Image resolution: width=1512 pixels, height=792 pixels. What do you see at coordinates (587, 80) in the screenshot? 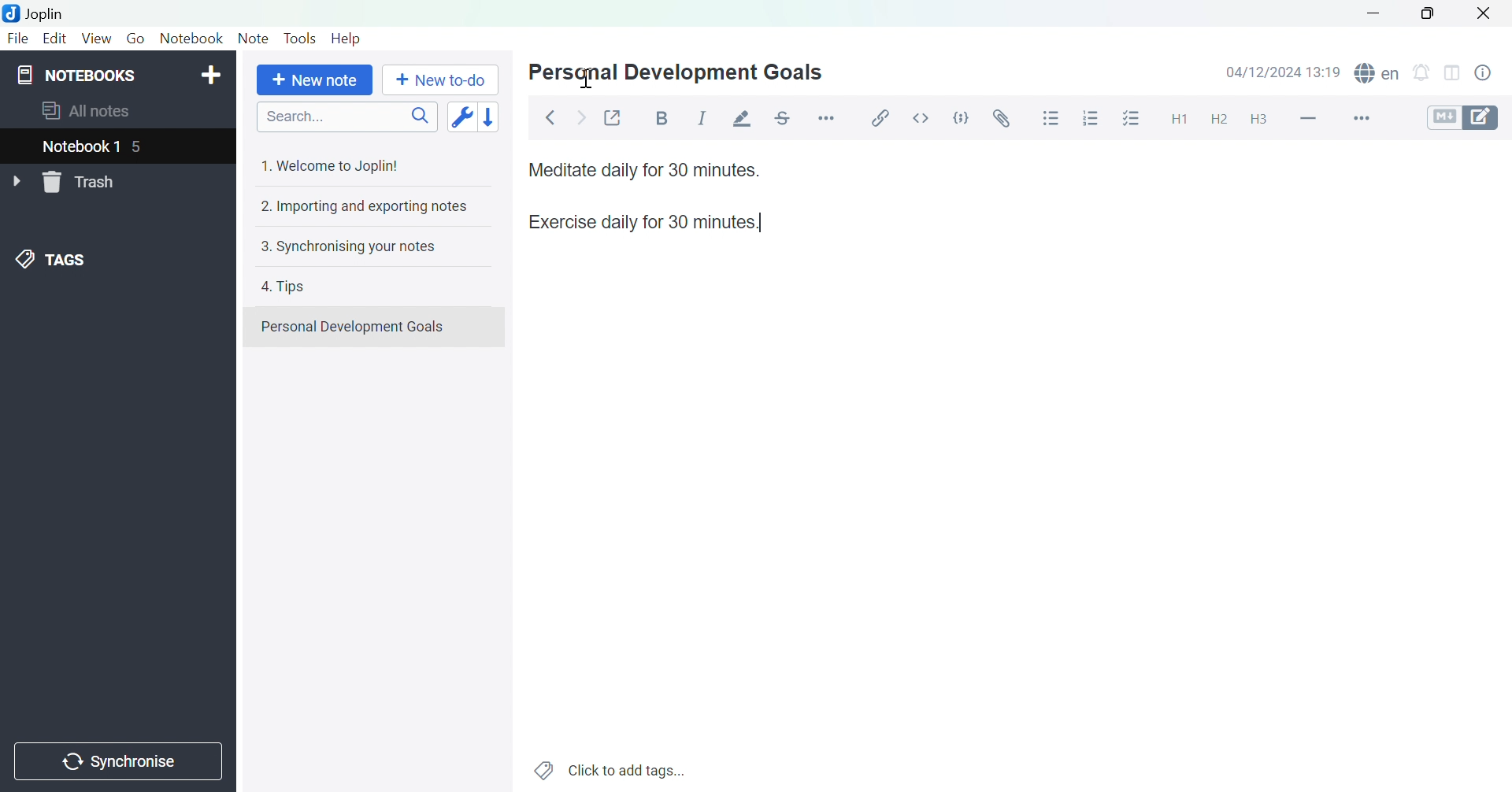
I see `Cursor` at bounding box center [587, 80].